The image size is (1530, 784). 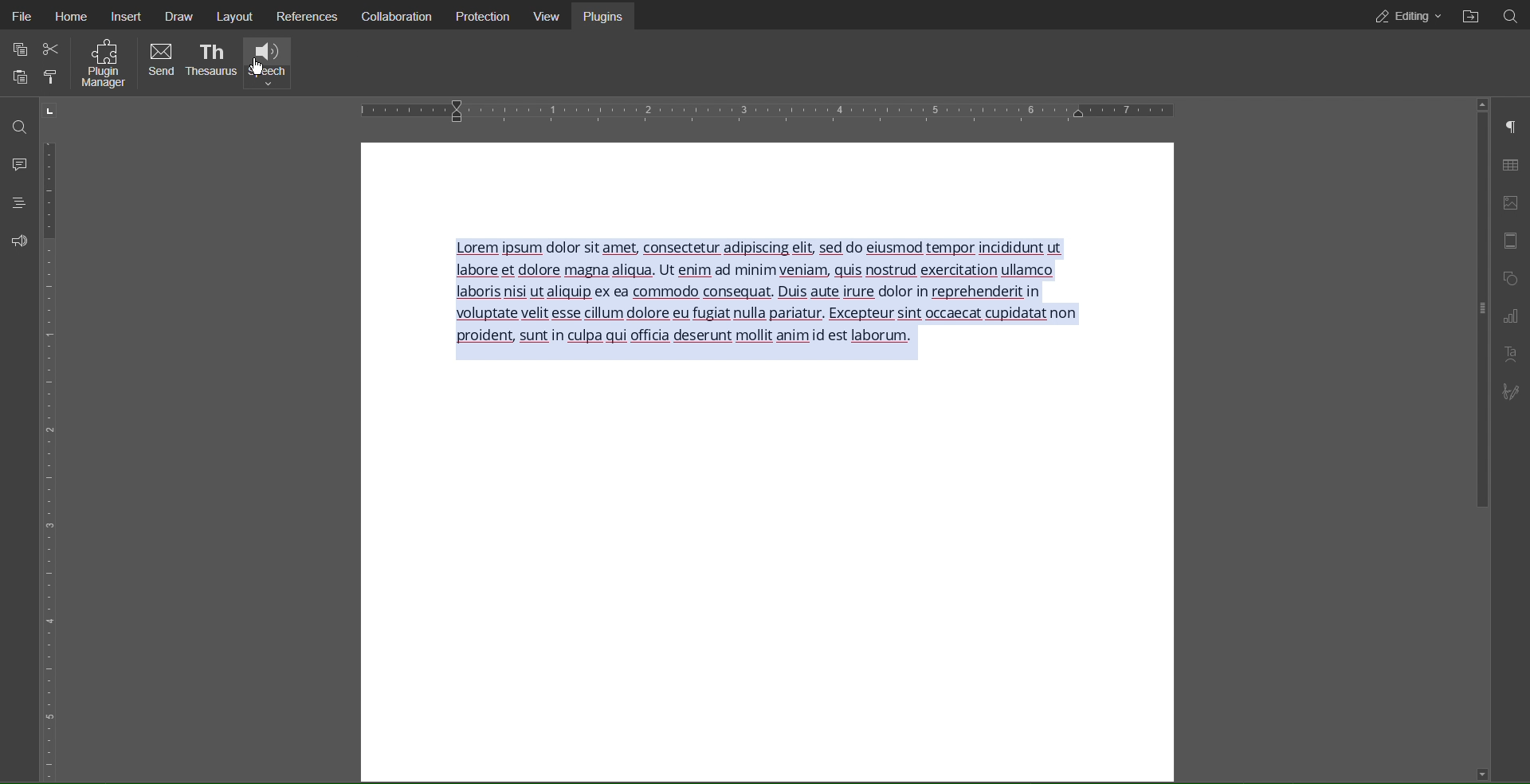 What do you see at coordinates (772, 110) in the screenshot?
I see `Horizontal Ruler` at bounding box center [772, 110].